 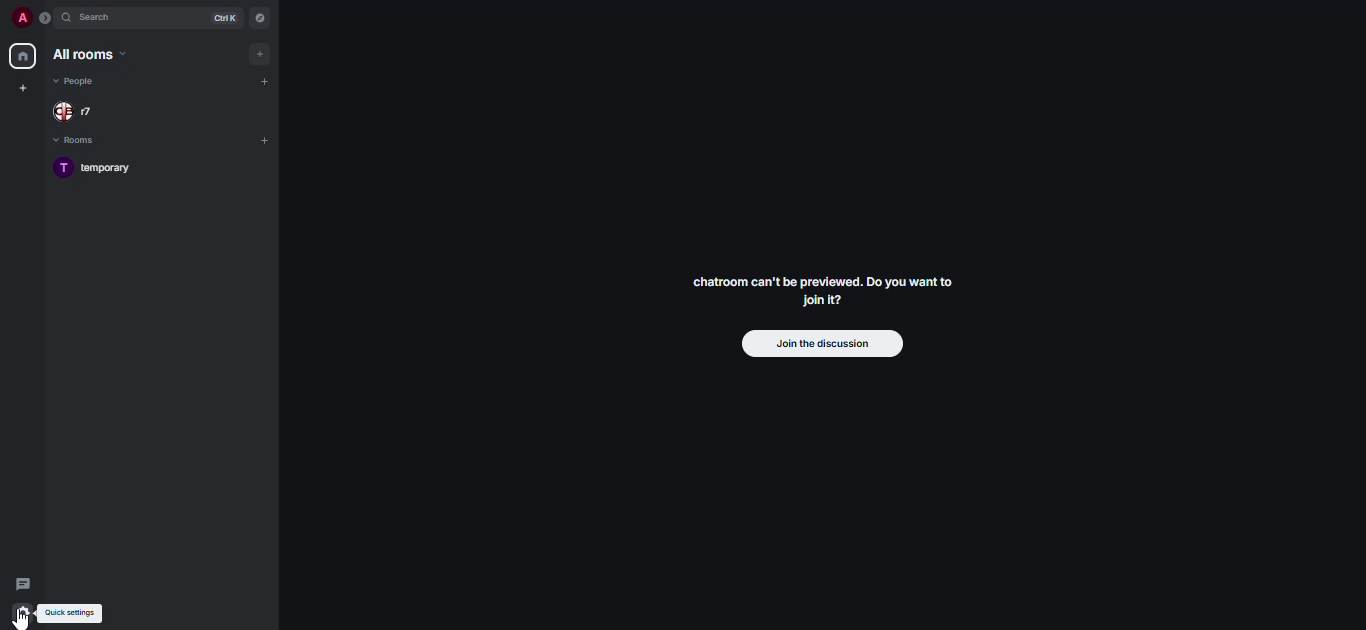 What do you see at coordinates (82, 112) in the screenshot?
I see `people` at bounding box center [82, 112].